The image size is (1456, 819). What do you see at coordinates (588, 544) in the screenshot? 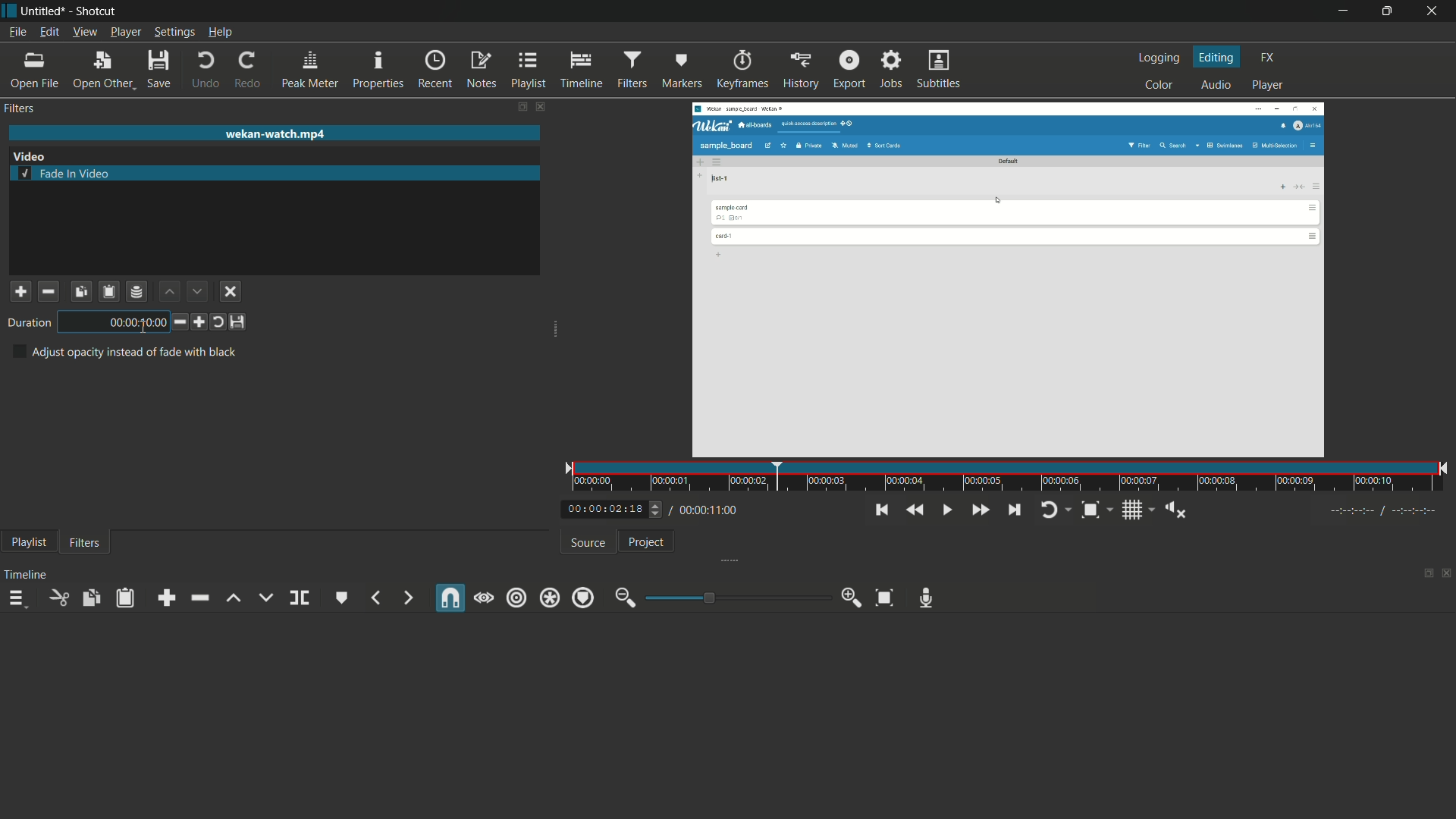
I see `source` at bounding box center [588, 544].